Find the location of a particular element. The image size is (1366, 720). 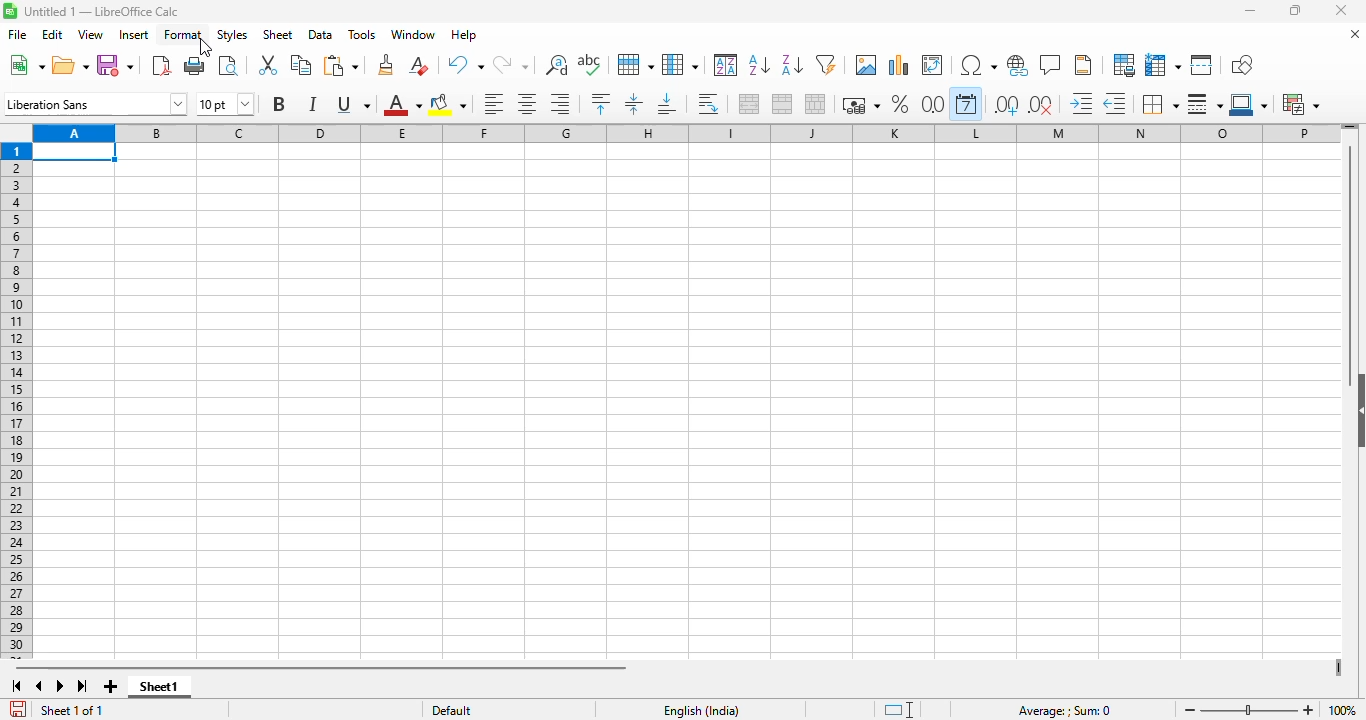

sheet1 is located at coordinates (161, 687).